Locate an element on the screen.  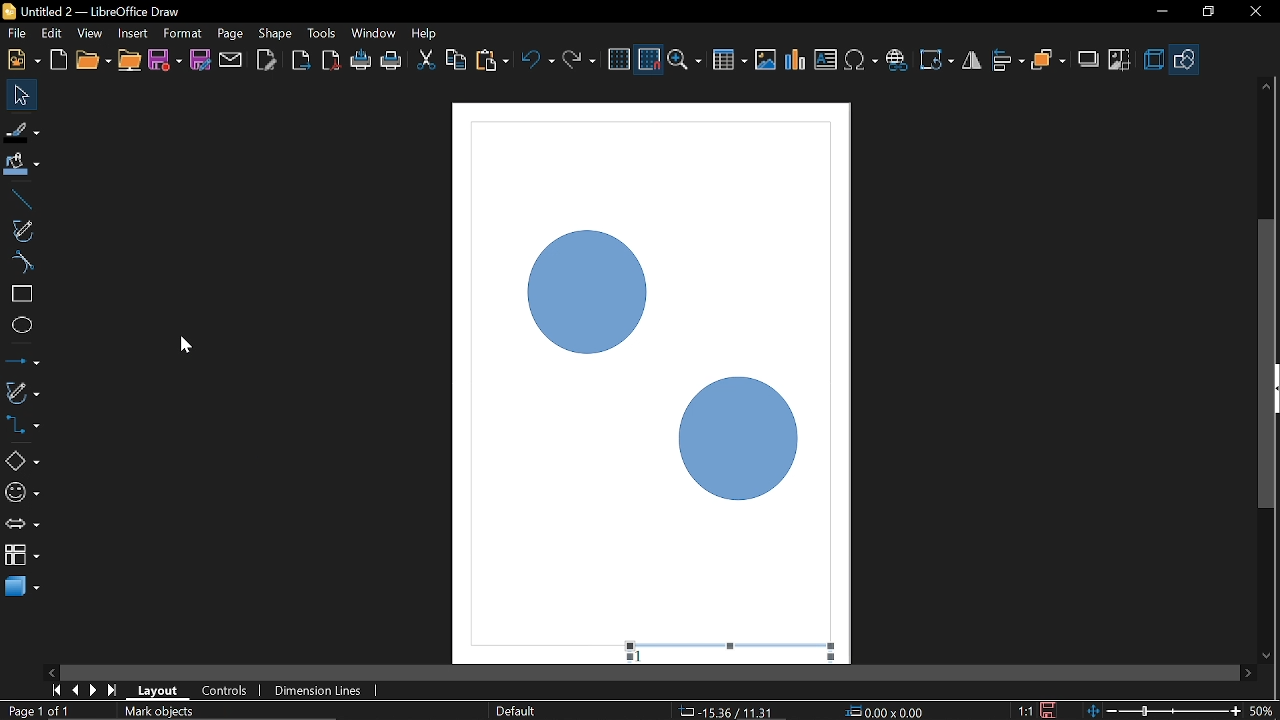
Insert is located at coordinates (134, 33).